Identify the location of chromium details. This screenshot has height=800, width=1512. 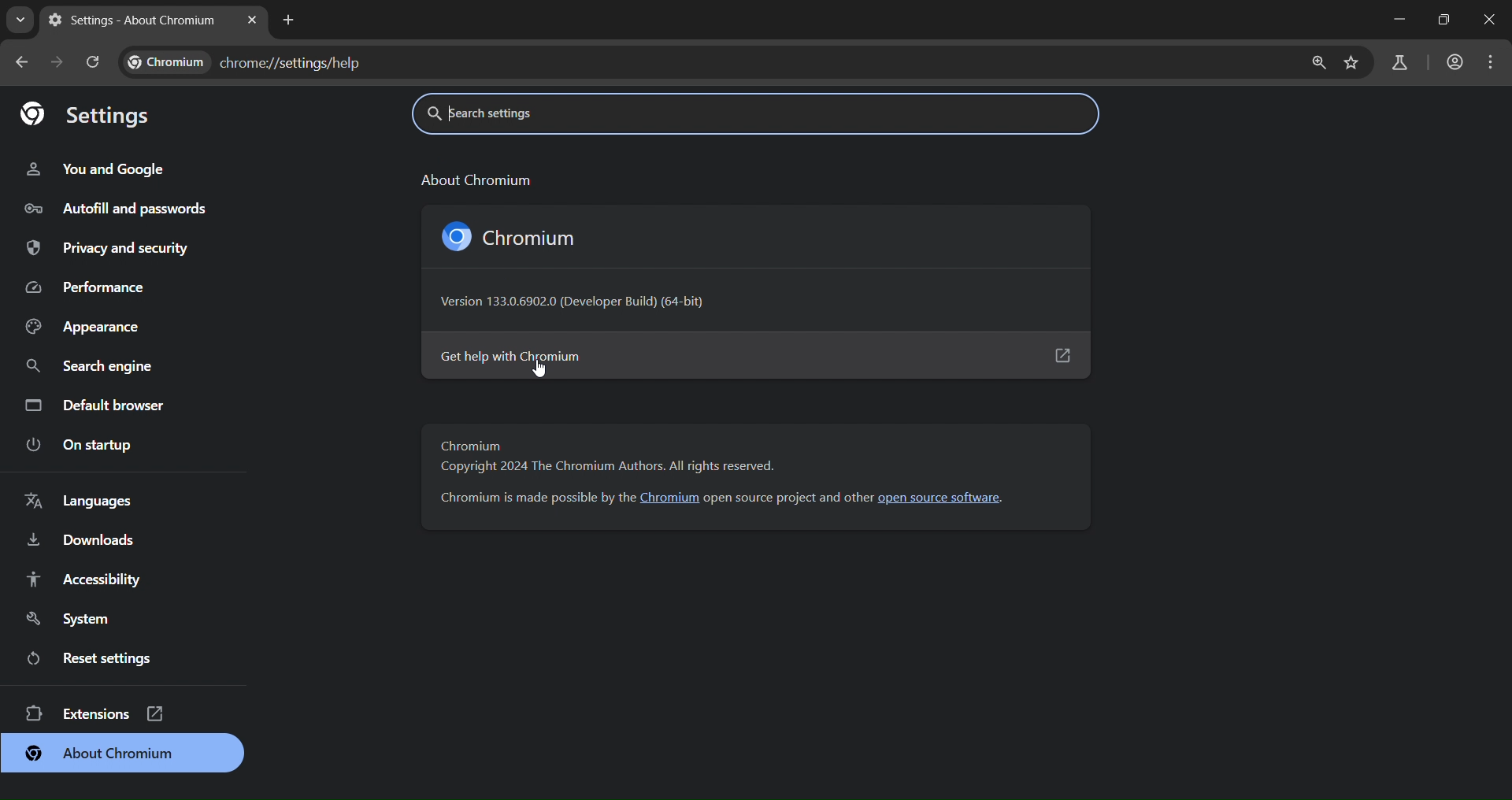
(533, 498).